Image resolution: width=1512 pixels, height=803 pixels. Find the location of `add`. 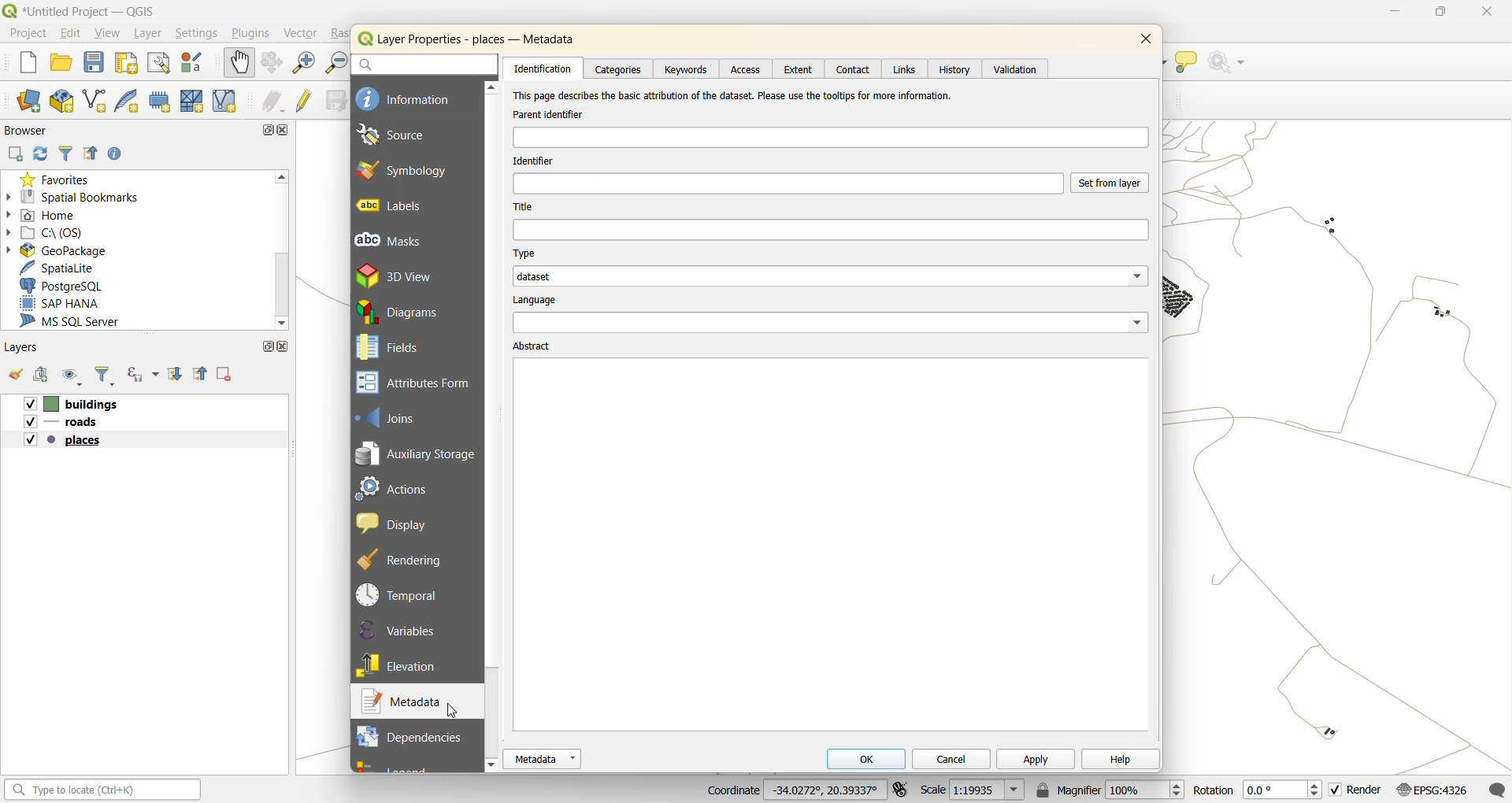

add is located at coordinates (47, 376).